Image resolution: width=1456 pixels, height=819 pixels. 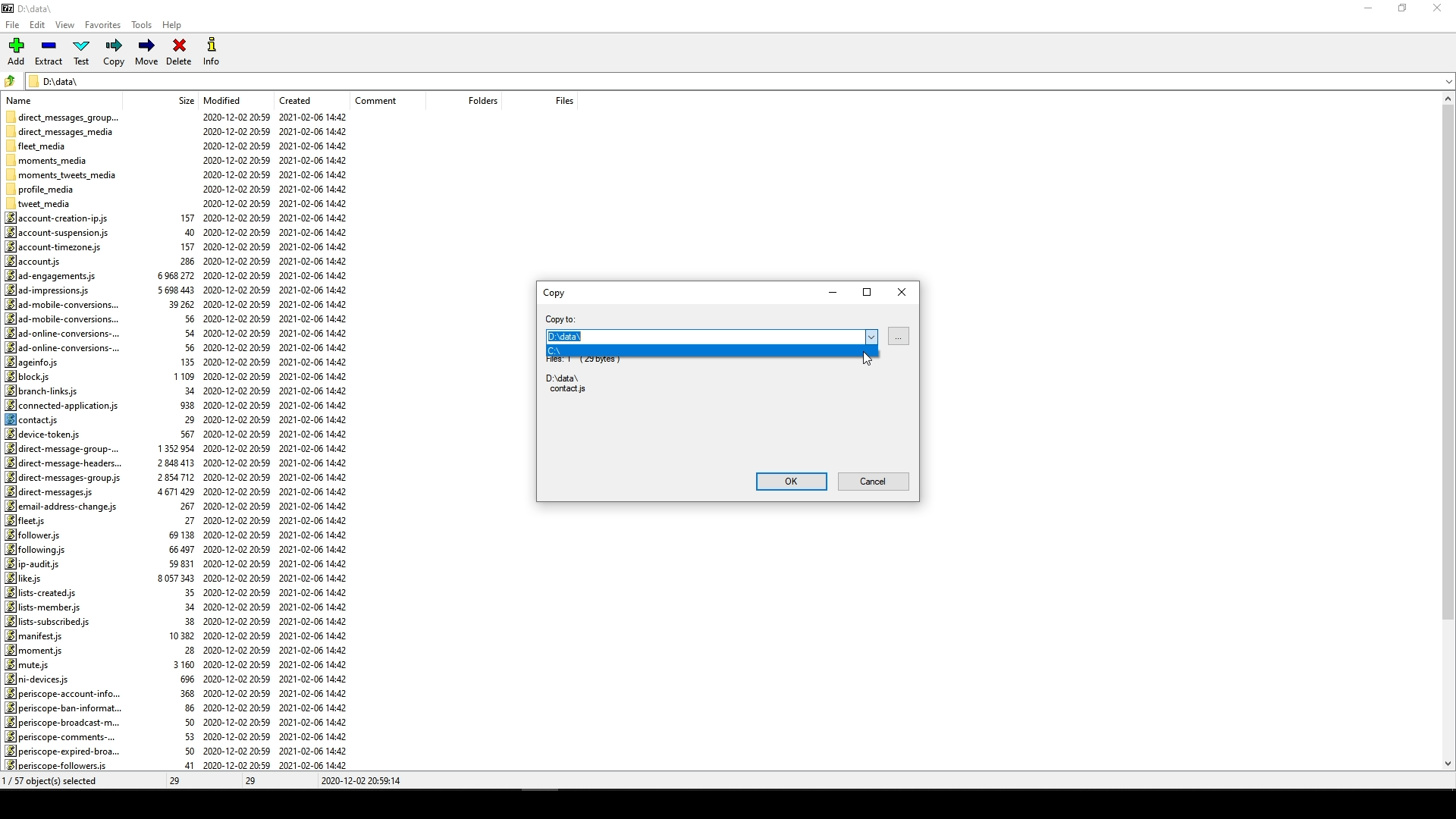 I want to click on email-address-change.js, so click(x=62, y=507).